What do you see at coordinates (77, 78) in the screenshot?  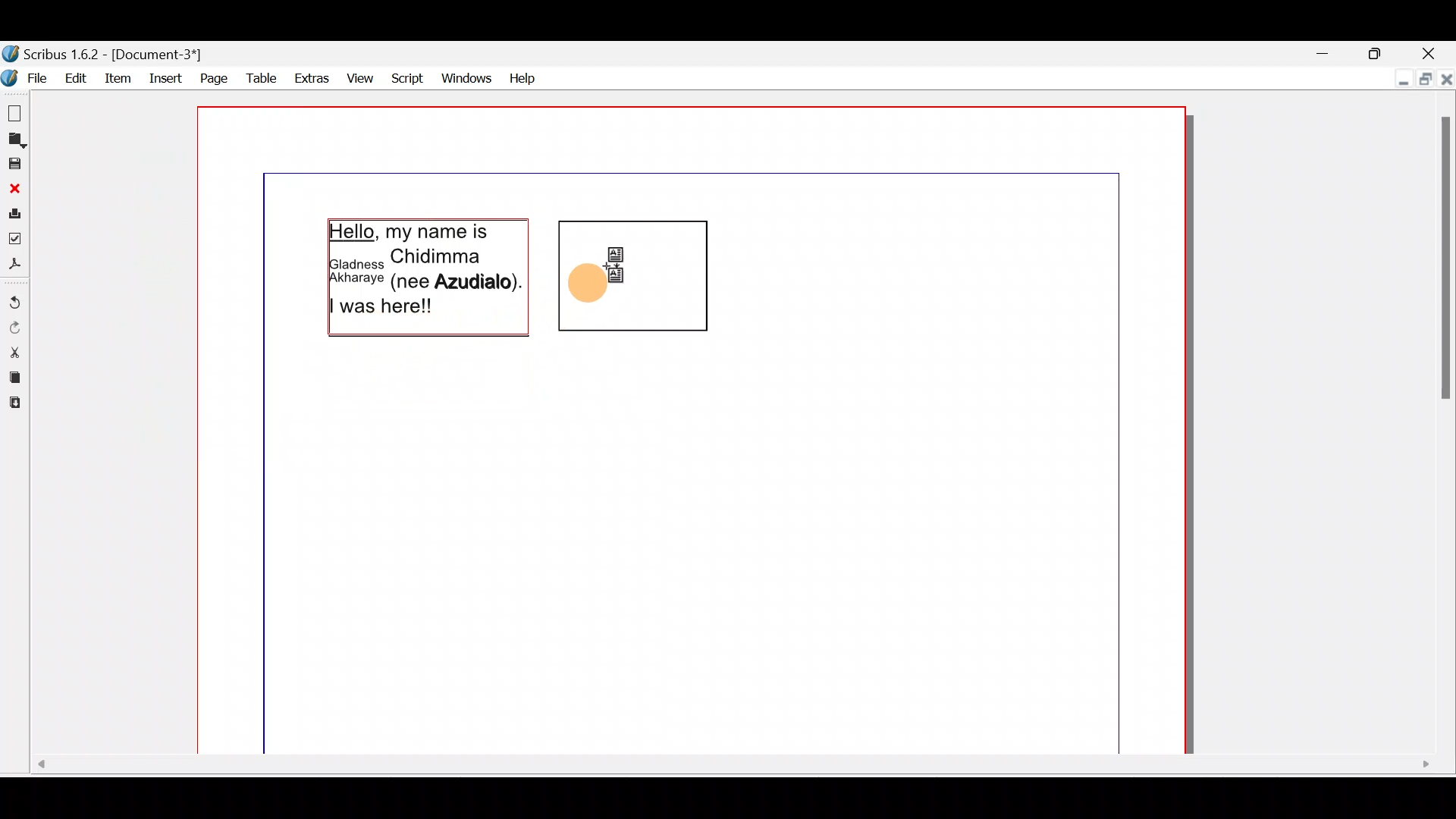 I see `Edit` at bounding box center [77, 78].